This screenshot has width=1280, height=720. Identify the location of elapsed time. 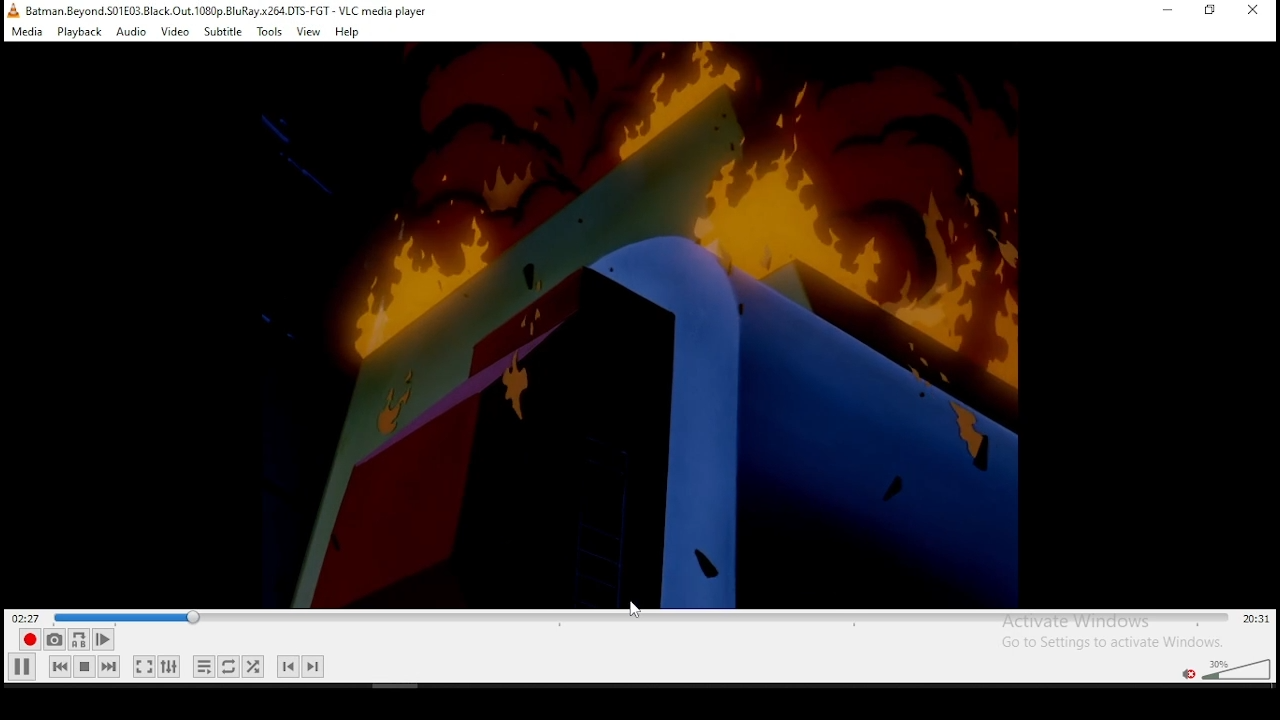
(28, 617).